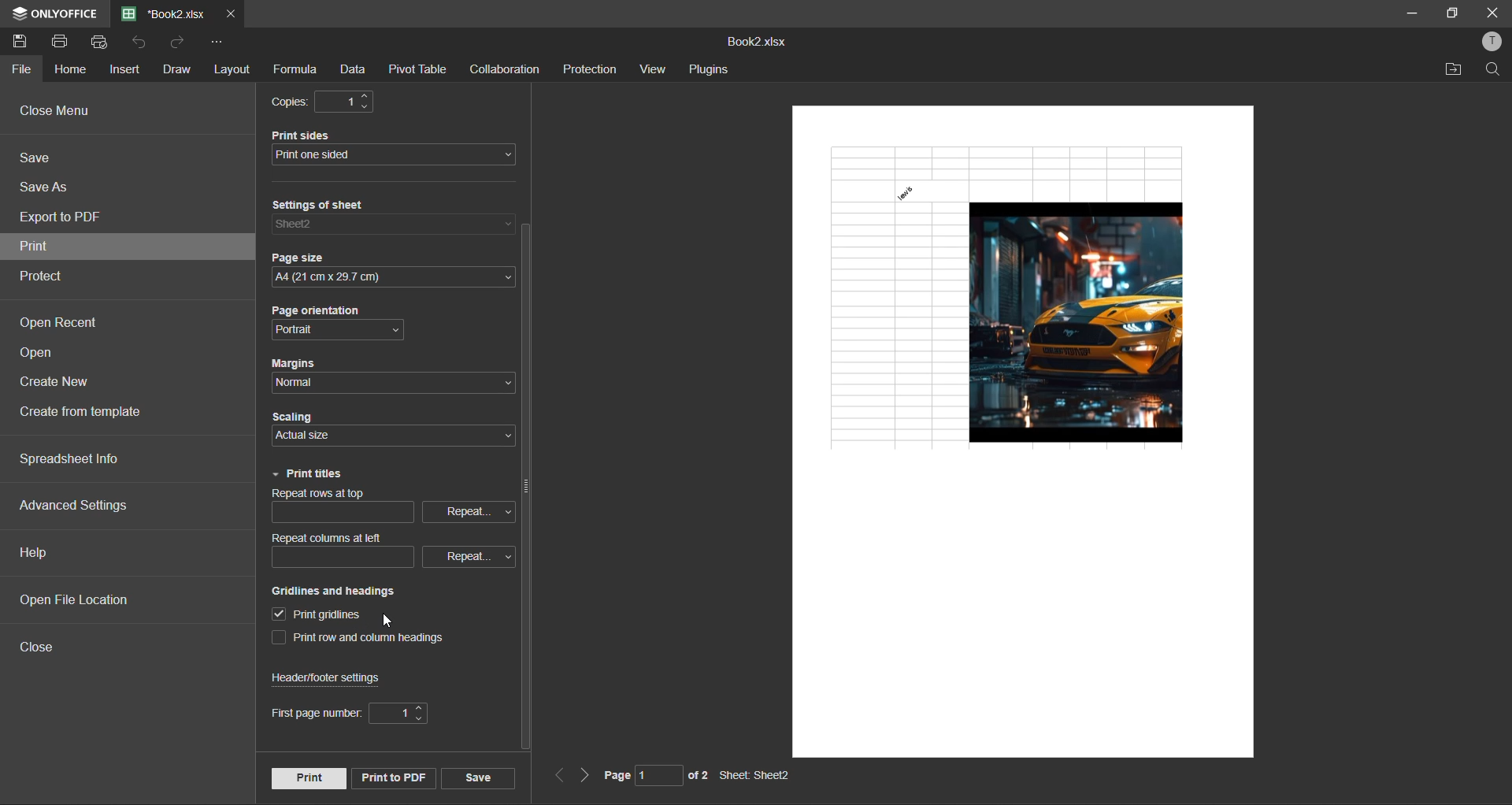 The width and height of the screenshot is (1512, 805). Describe the element at coordinates (306, 331) in the screenshot. I see `portrait` at that location.